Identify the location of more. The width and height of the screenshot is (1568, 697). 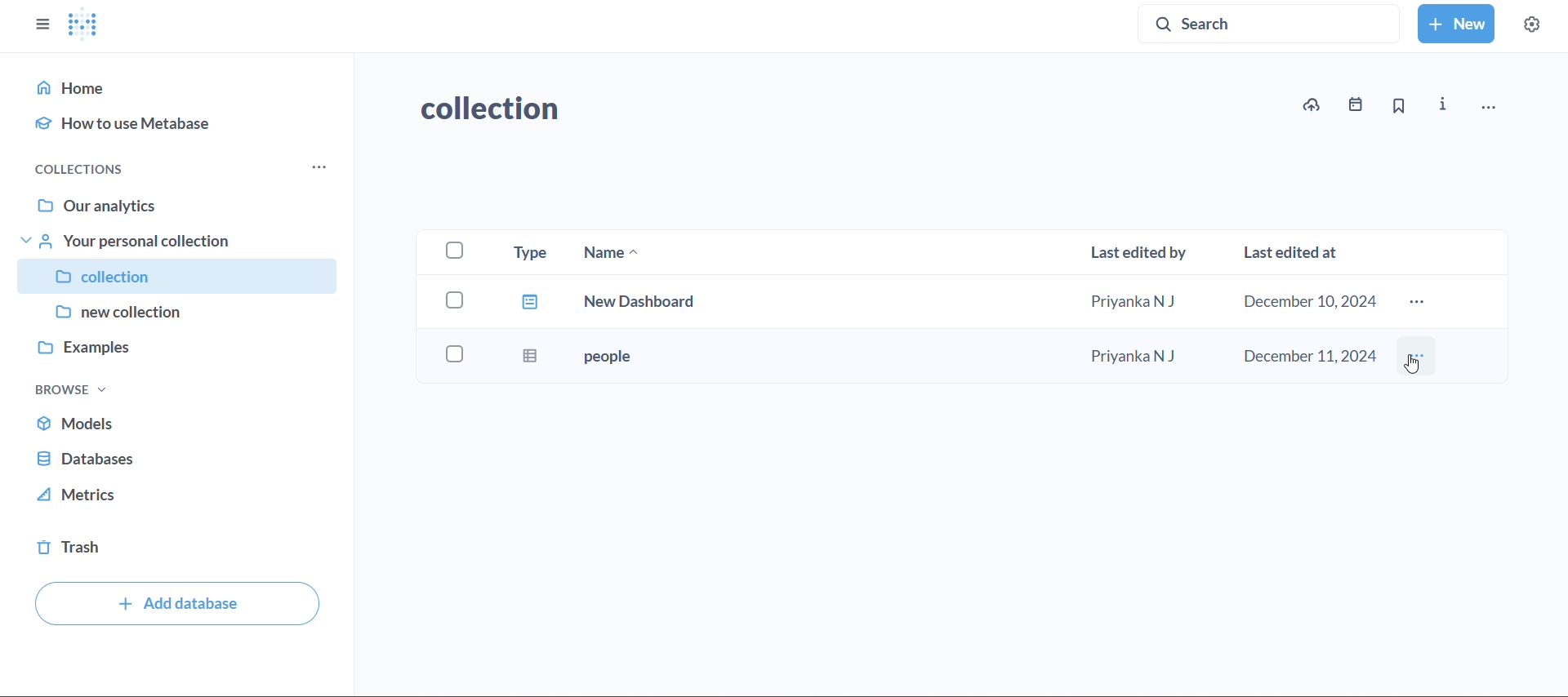
(317, 169).